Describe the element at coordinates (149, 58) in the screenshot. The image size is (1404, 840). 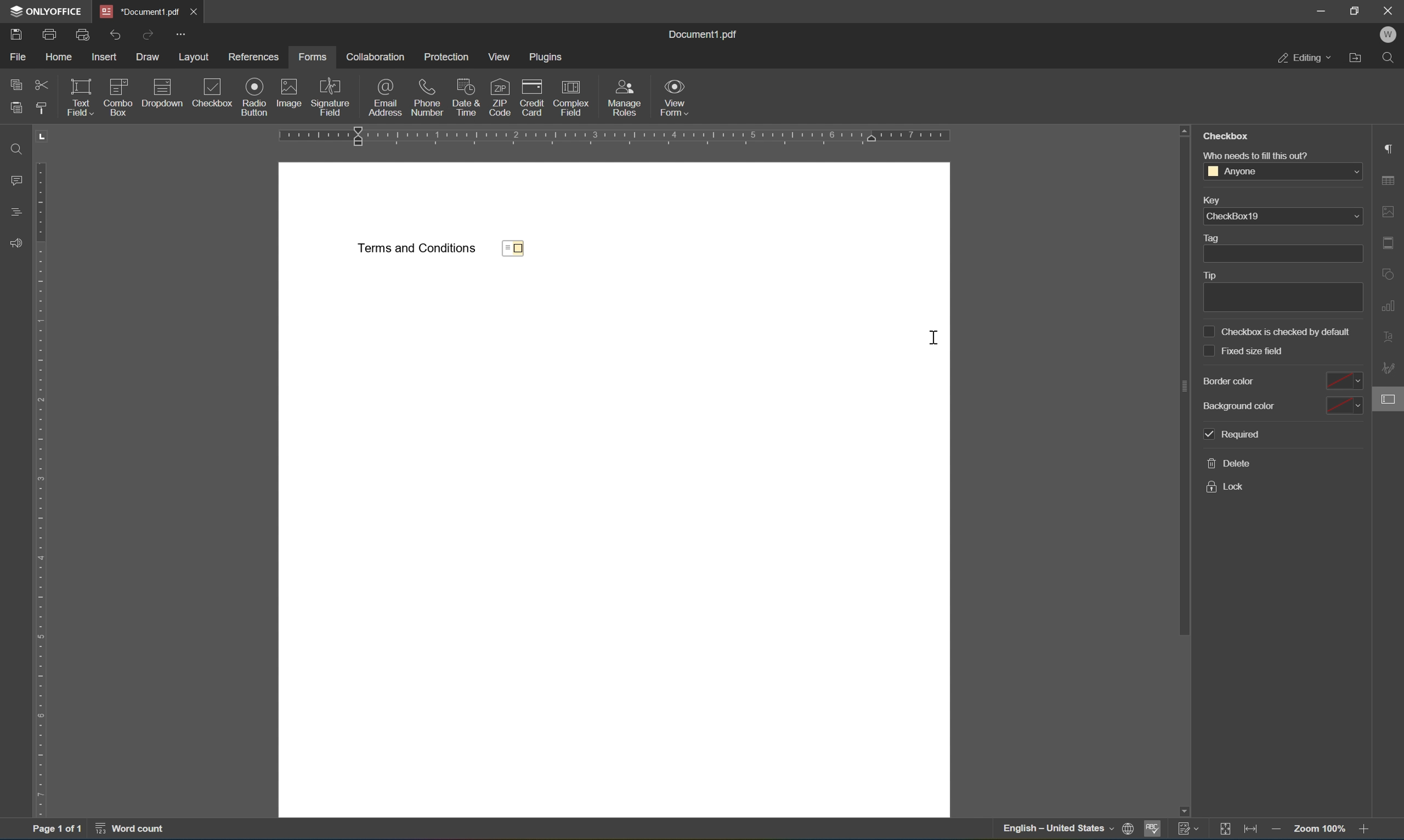
I see `draw` at that location.